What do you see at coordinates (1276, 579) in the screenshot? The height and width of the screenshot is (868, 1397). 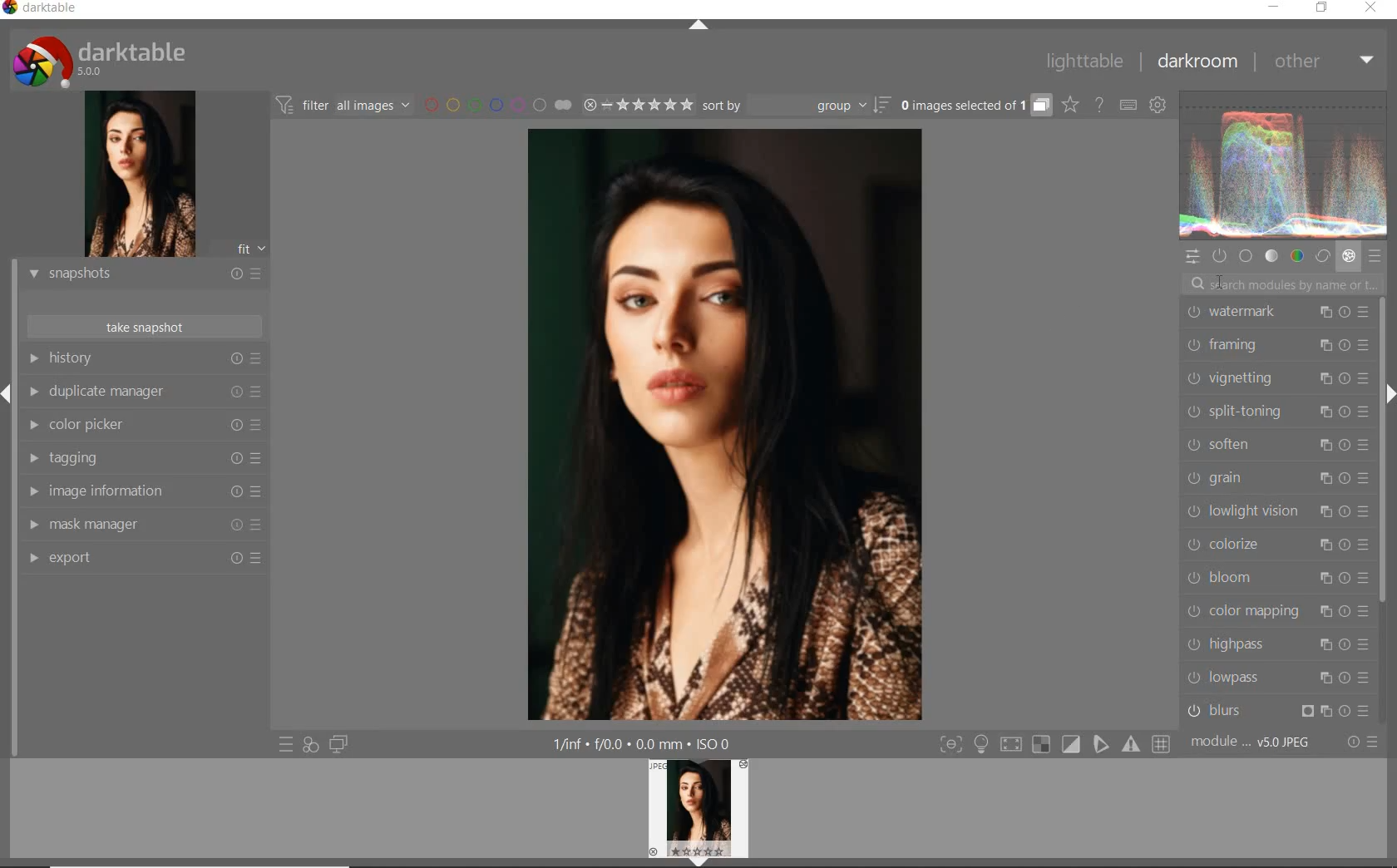 I see `bloom` at bounding box center [1276, 579].